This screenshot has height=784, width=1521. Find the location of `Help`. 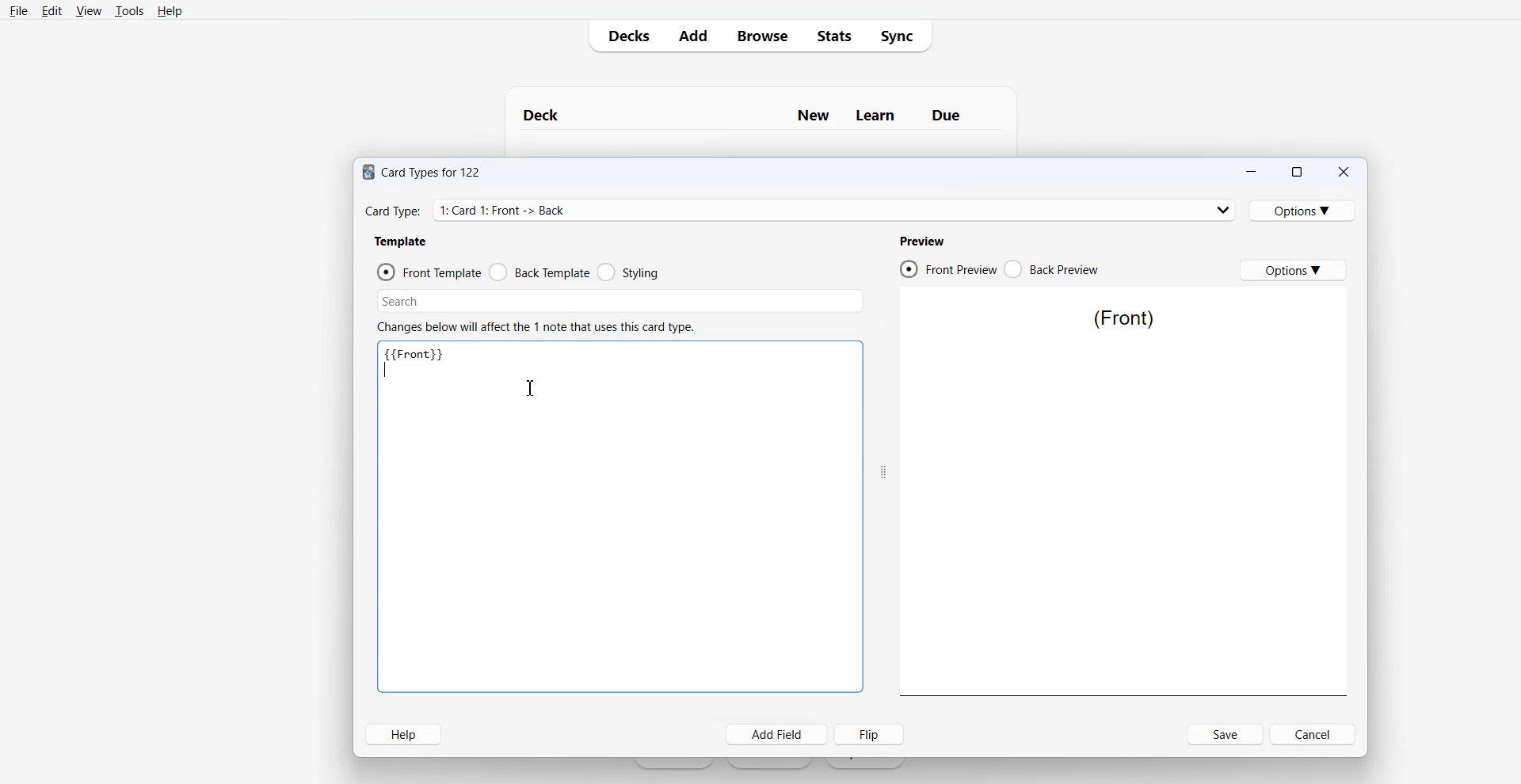

Help is located at coordinates (403, 734).